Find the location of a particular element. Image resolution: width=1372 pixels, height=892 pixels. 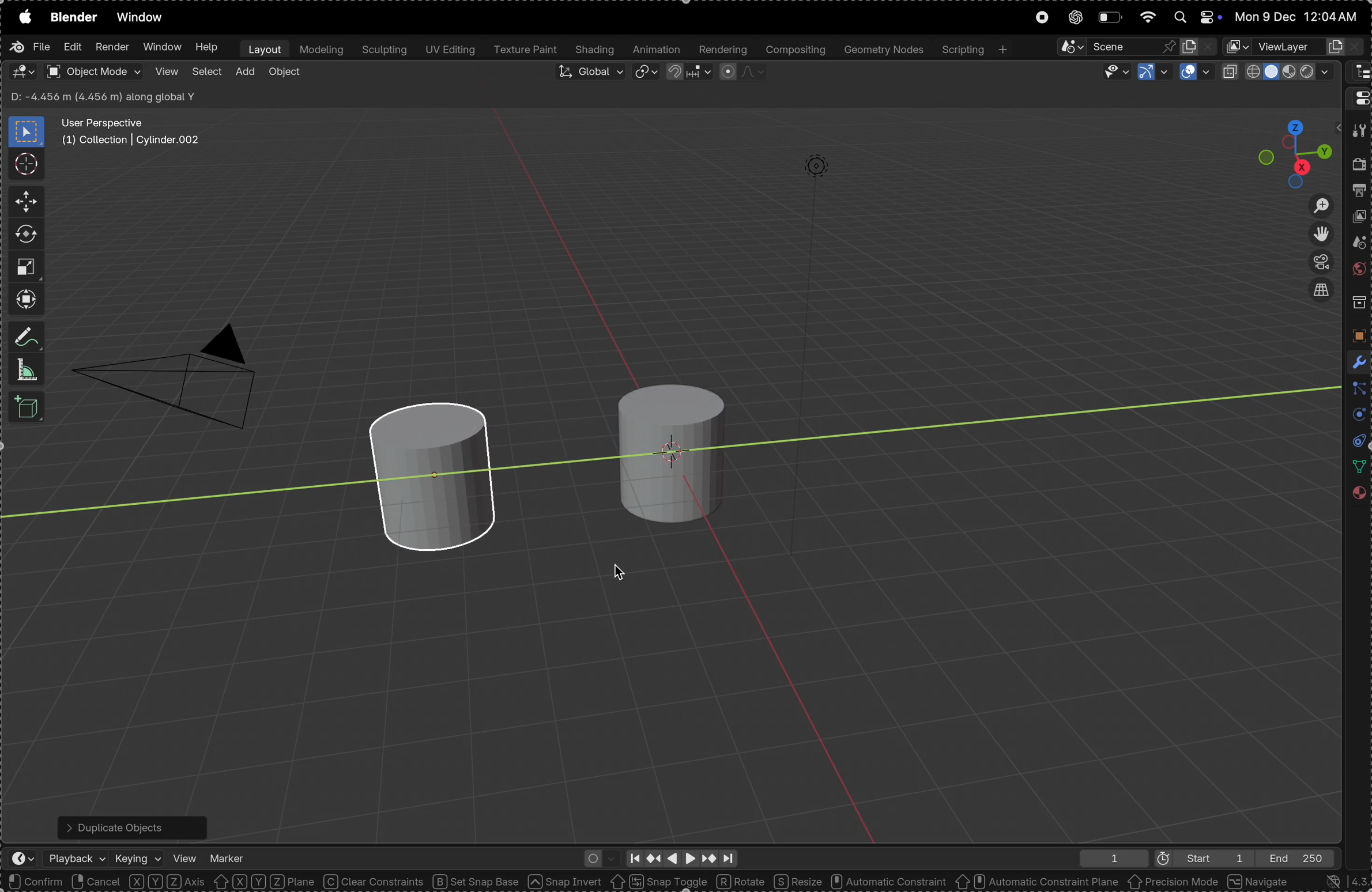

Global is located at coordinates (589, 74).